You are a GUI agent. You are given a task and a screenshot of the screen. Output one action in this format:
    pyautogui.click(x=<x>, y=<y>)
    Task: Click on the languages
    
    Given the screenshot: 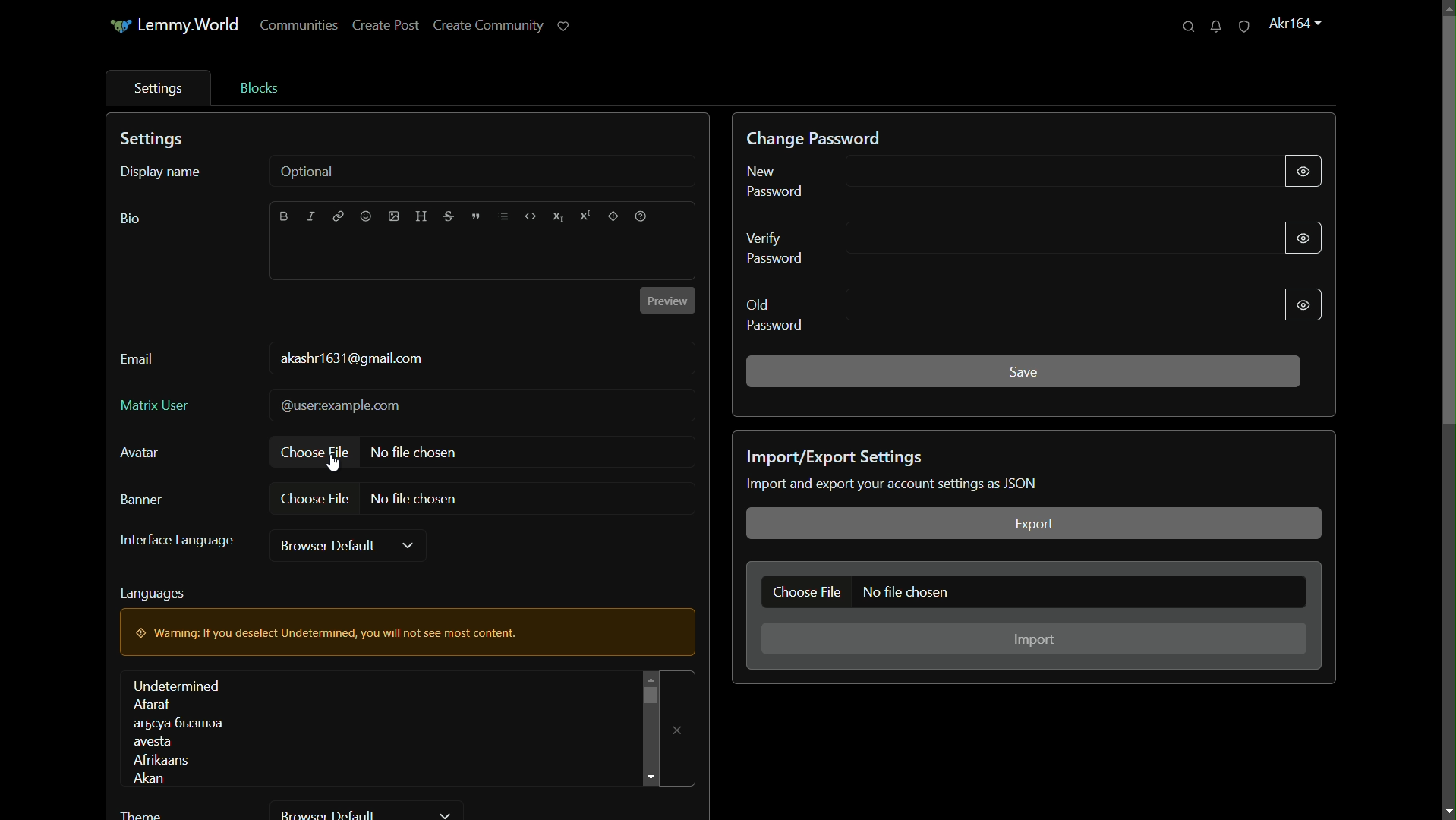 What is the action you would take?
    pyautogui.click(x=180, y=731)
    